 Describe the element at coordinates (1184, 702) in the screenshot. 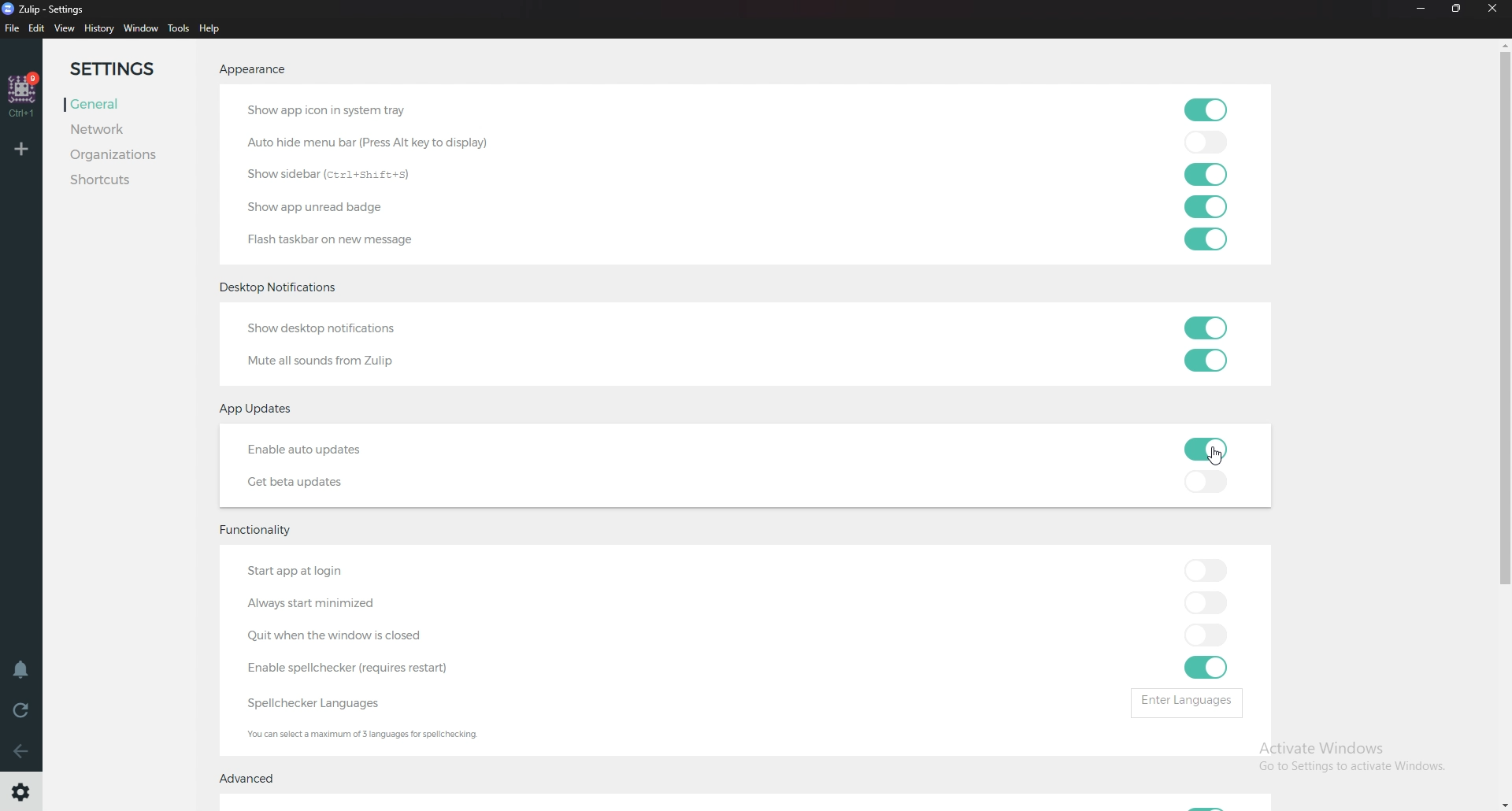

I see `Enter languages` at that location.